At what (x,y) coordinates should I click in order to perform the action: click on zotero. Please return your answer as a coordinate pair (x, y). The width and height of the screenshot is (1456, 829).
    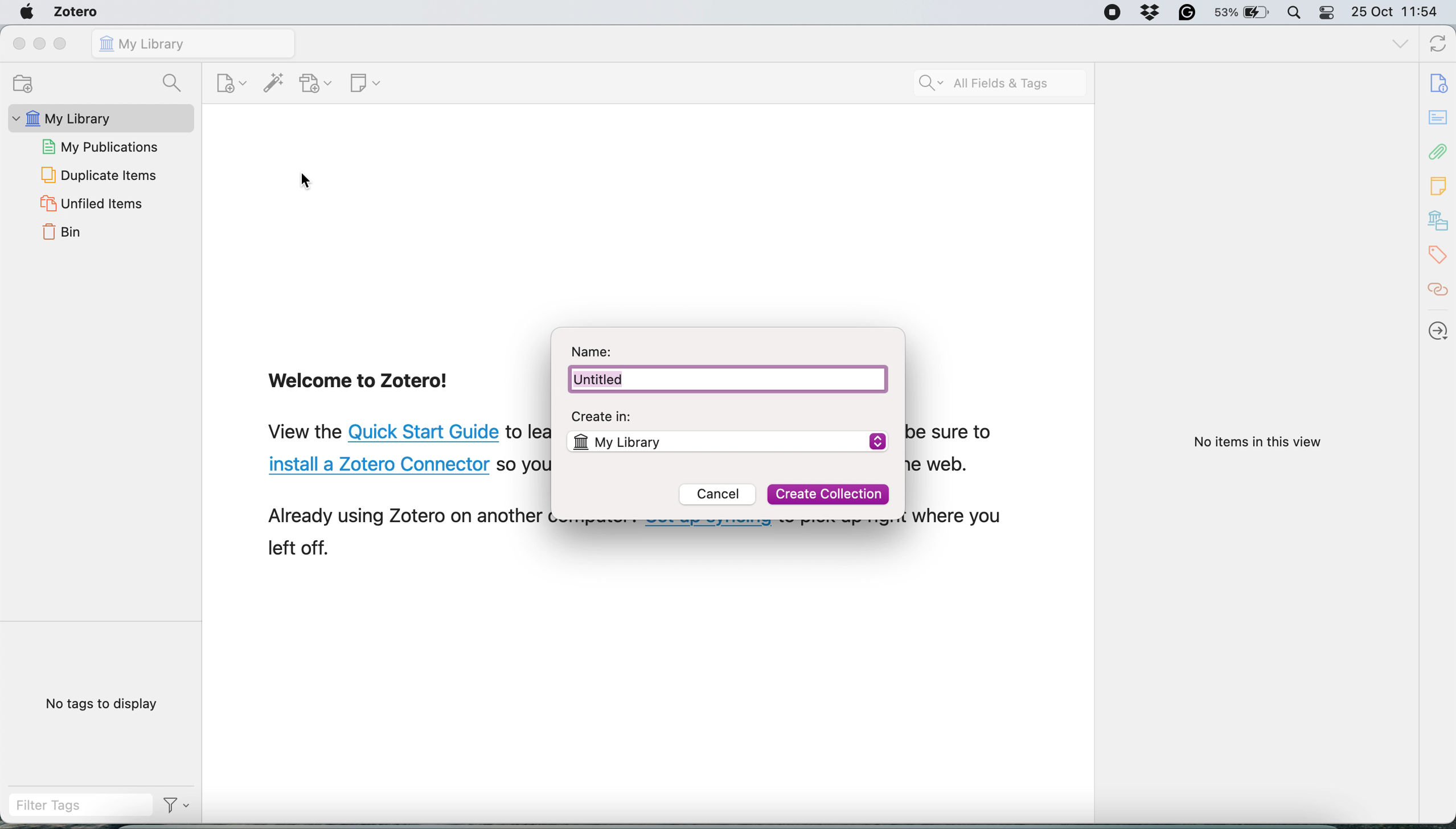
    Looking at the image, I should click on (75, 11).